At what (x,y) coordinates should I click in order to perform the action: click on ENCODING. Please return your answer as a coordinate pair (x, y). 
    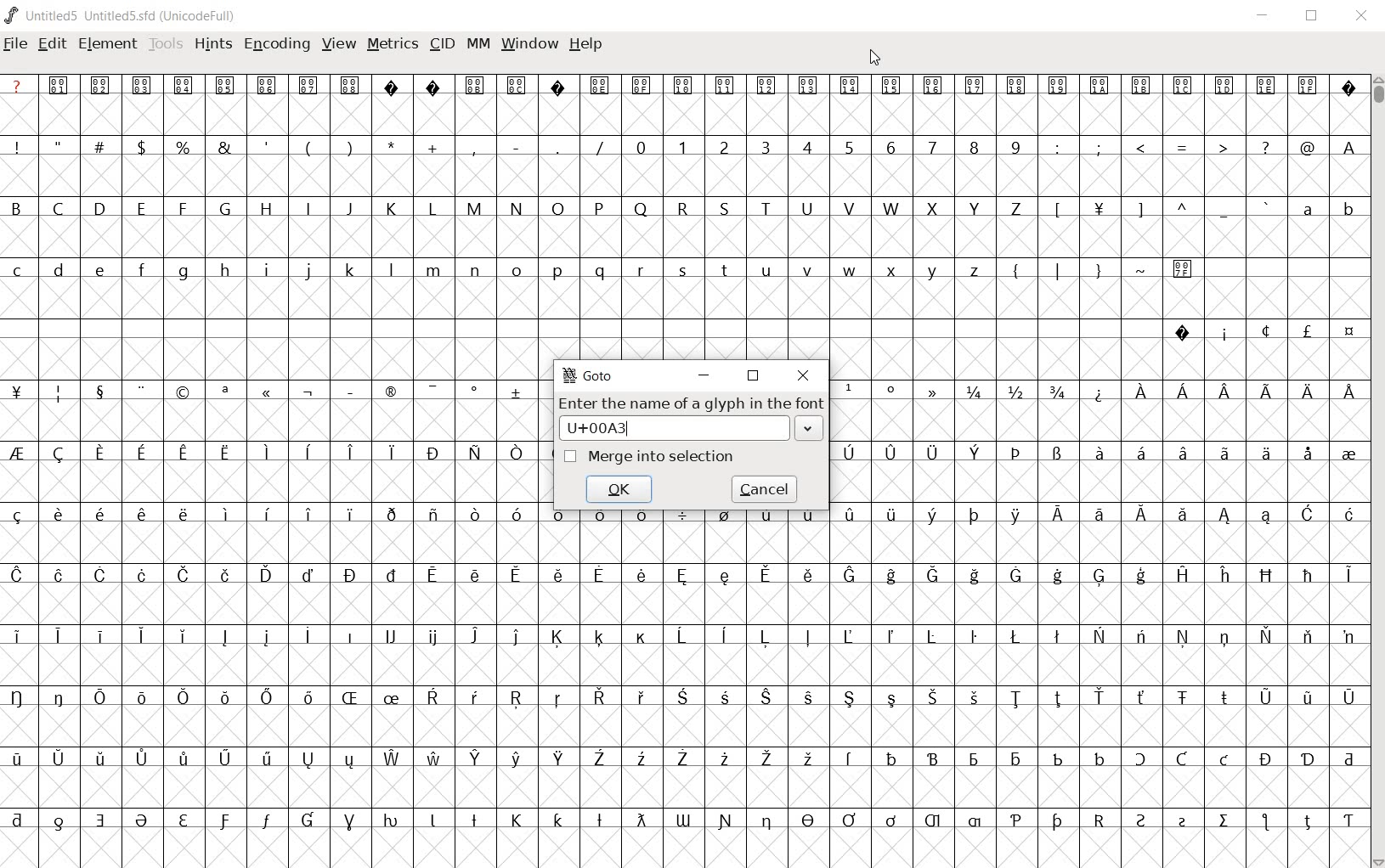
    Looking at the image, I should click on (275, 45).